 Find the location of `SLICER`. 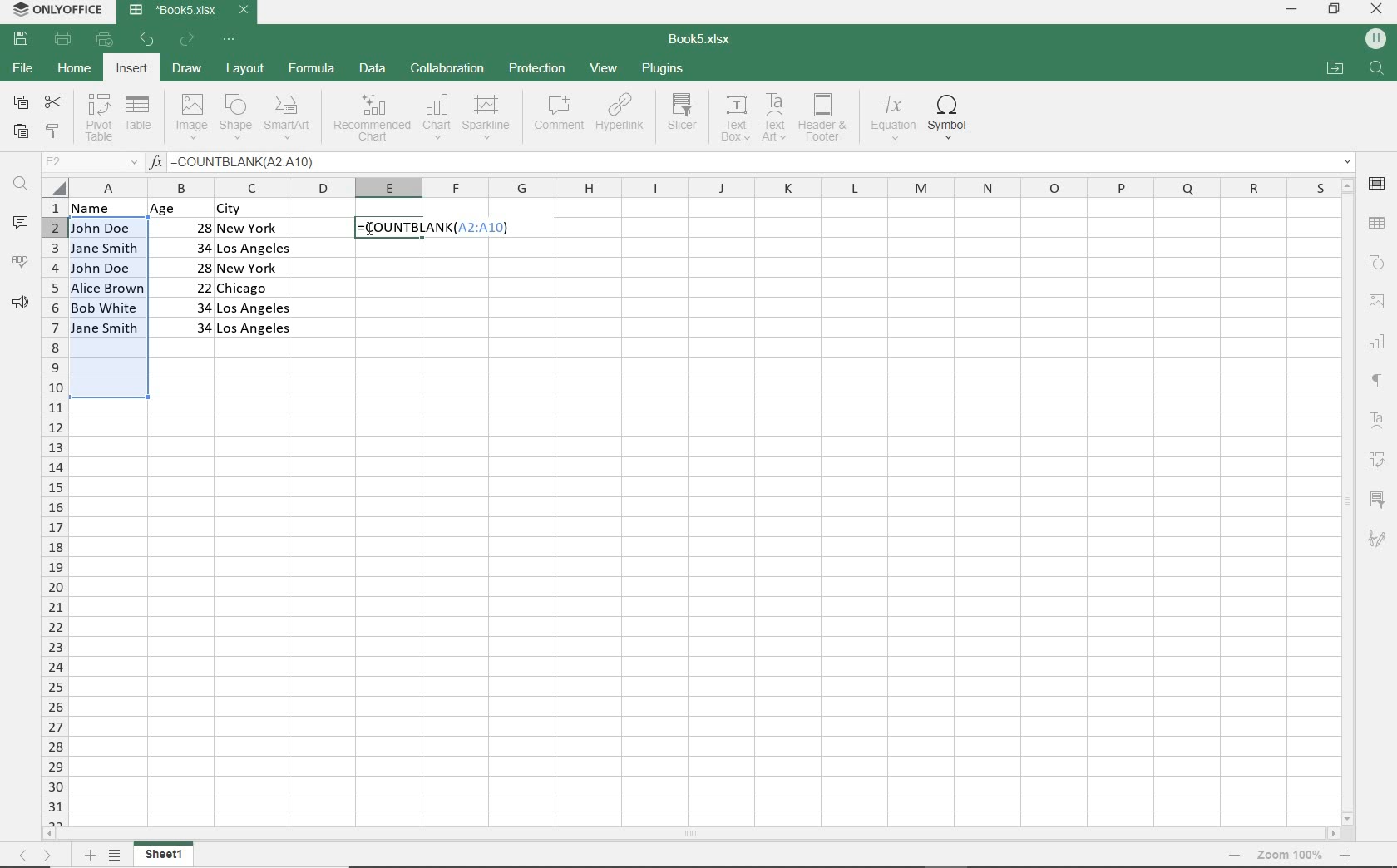

SLICER is located at coordinates (1378, 503).